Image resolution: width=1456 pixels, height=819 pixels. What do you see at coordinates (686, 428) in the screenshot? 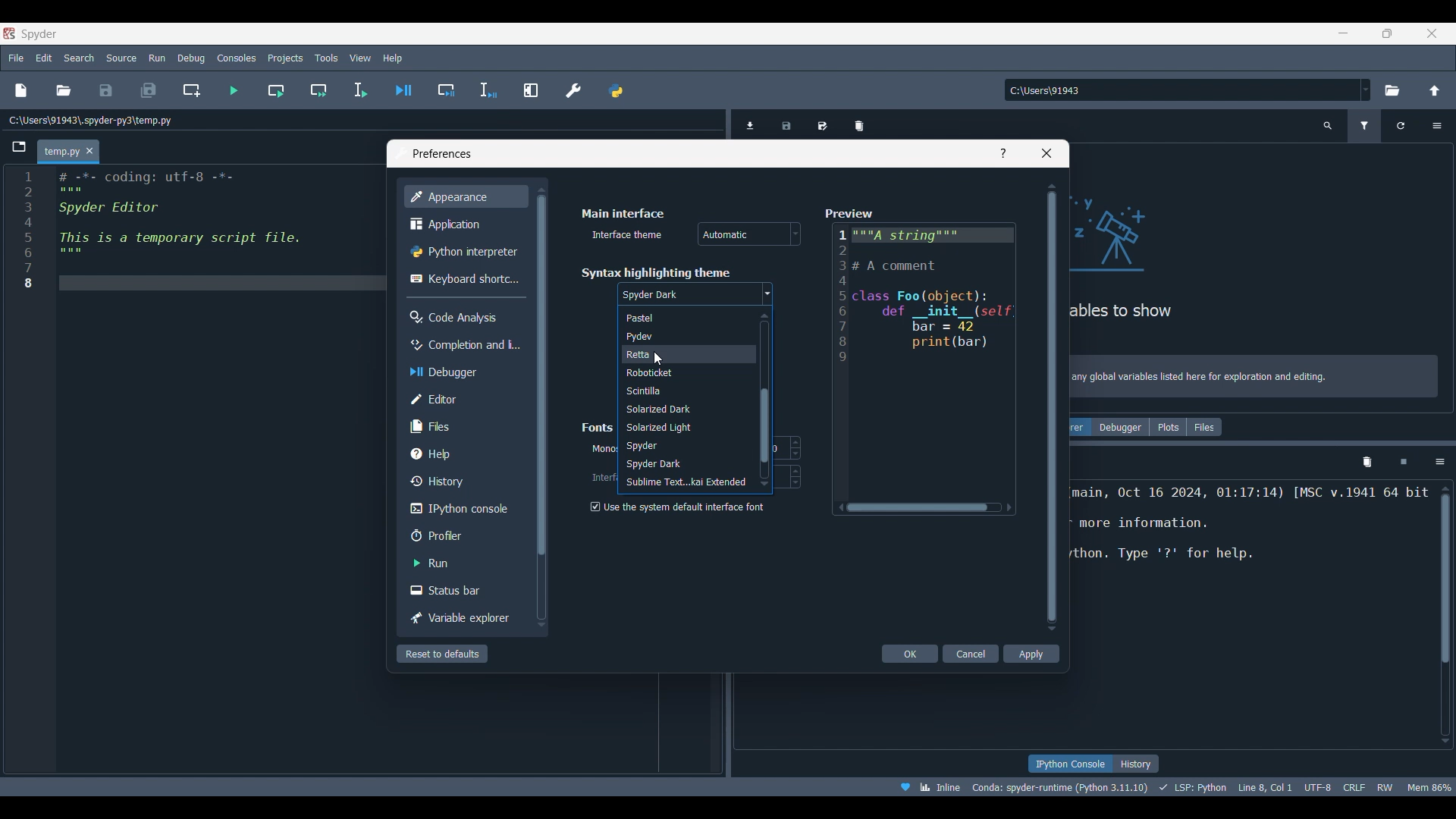
I see `solarized light` at bounding box center [686, 428].